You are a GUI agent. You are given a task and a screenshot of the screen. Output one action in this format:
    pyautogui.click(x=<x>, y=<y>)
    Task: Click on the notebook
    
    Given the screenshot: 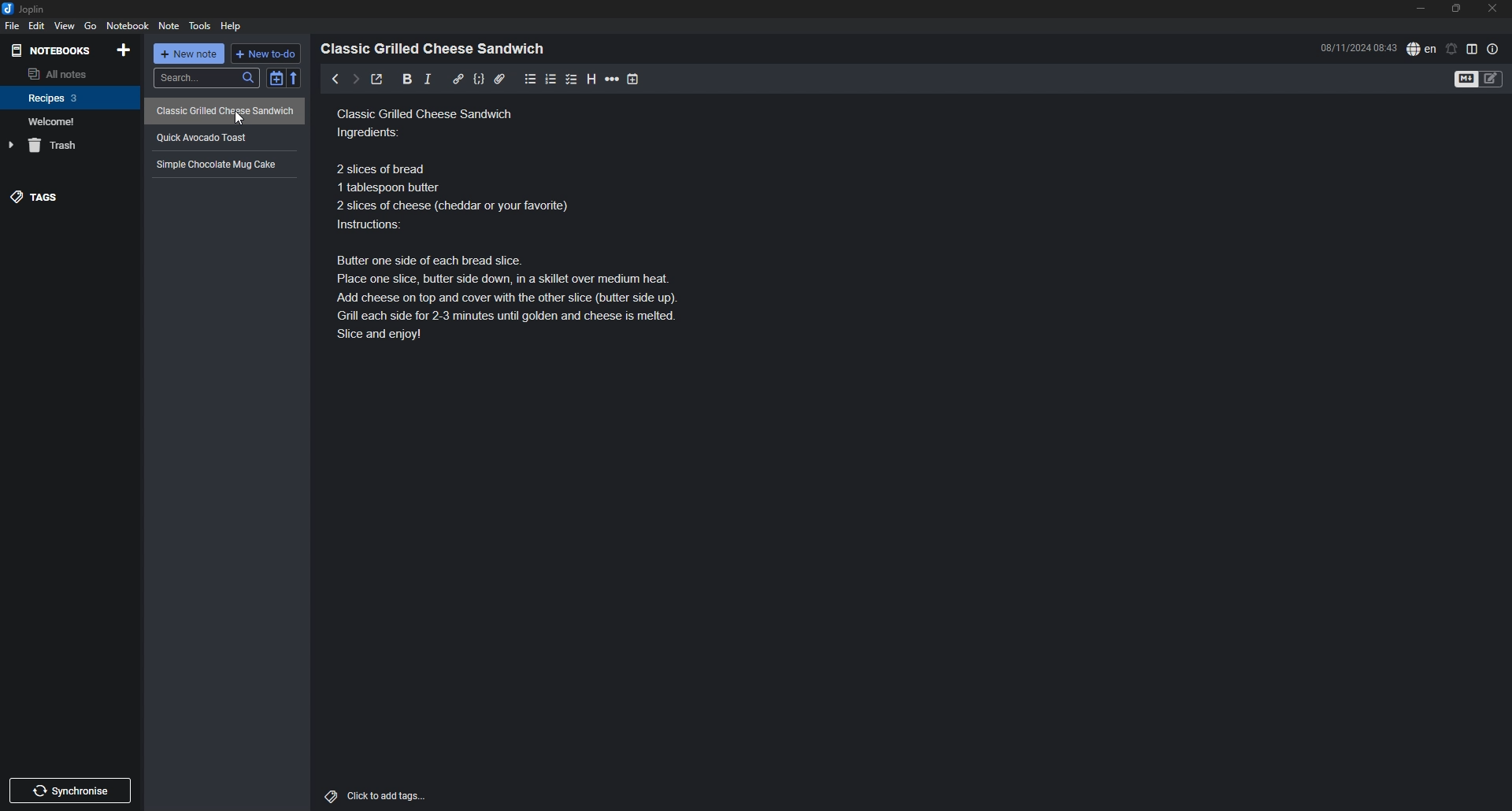 What is the action you would take?
    pyautogui.click(x=71, y=97)
    